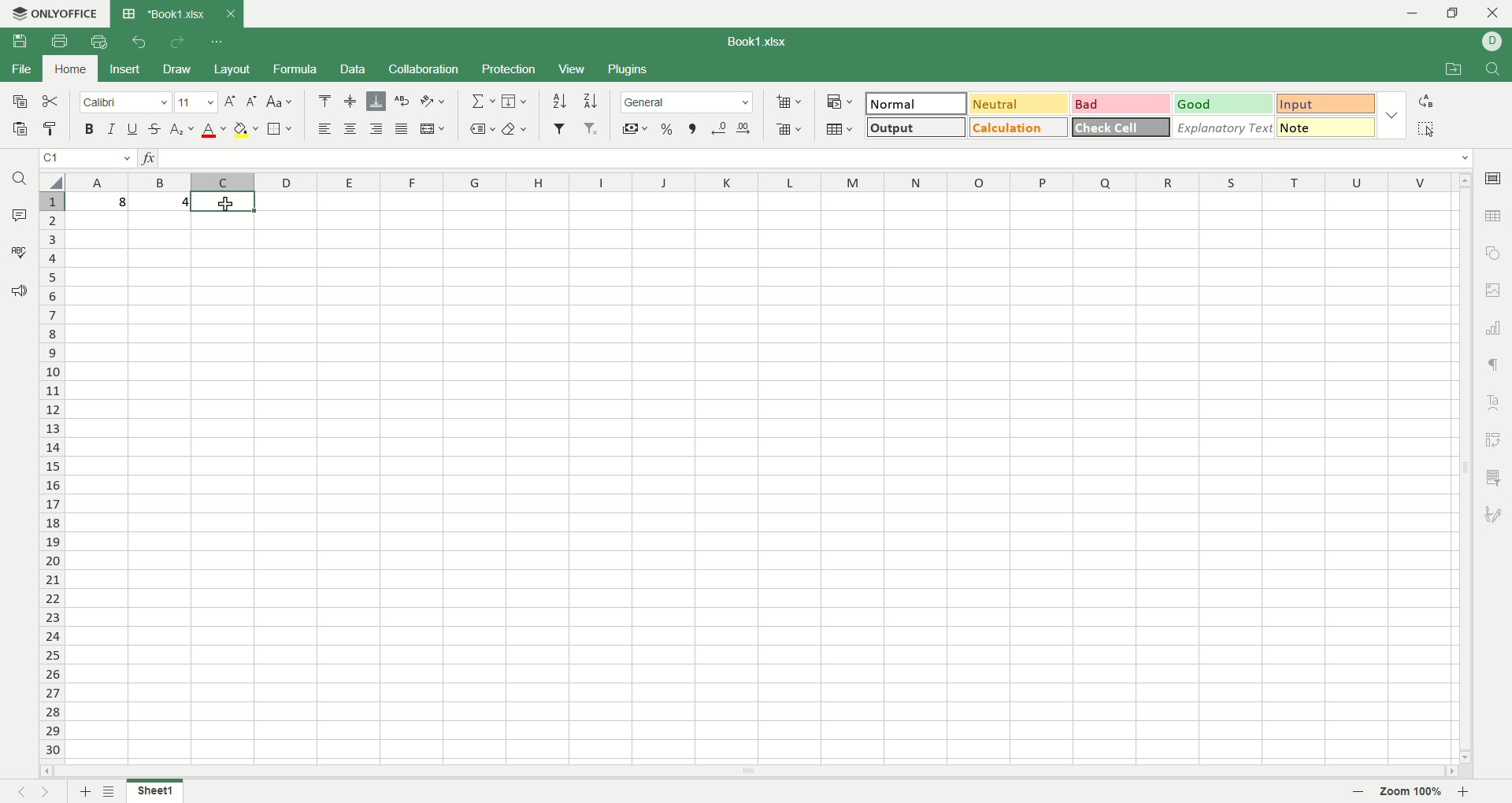 The height and width of the screenshot is (803, 1512). I want to click on sort ascending, so click(561, 101).